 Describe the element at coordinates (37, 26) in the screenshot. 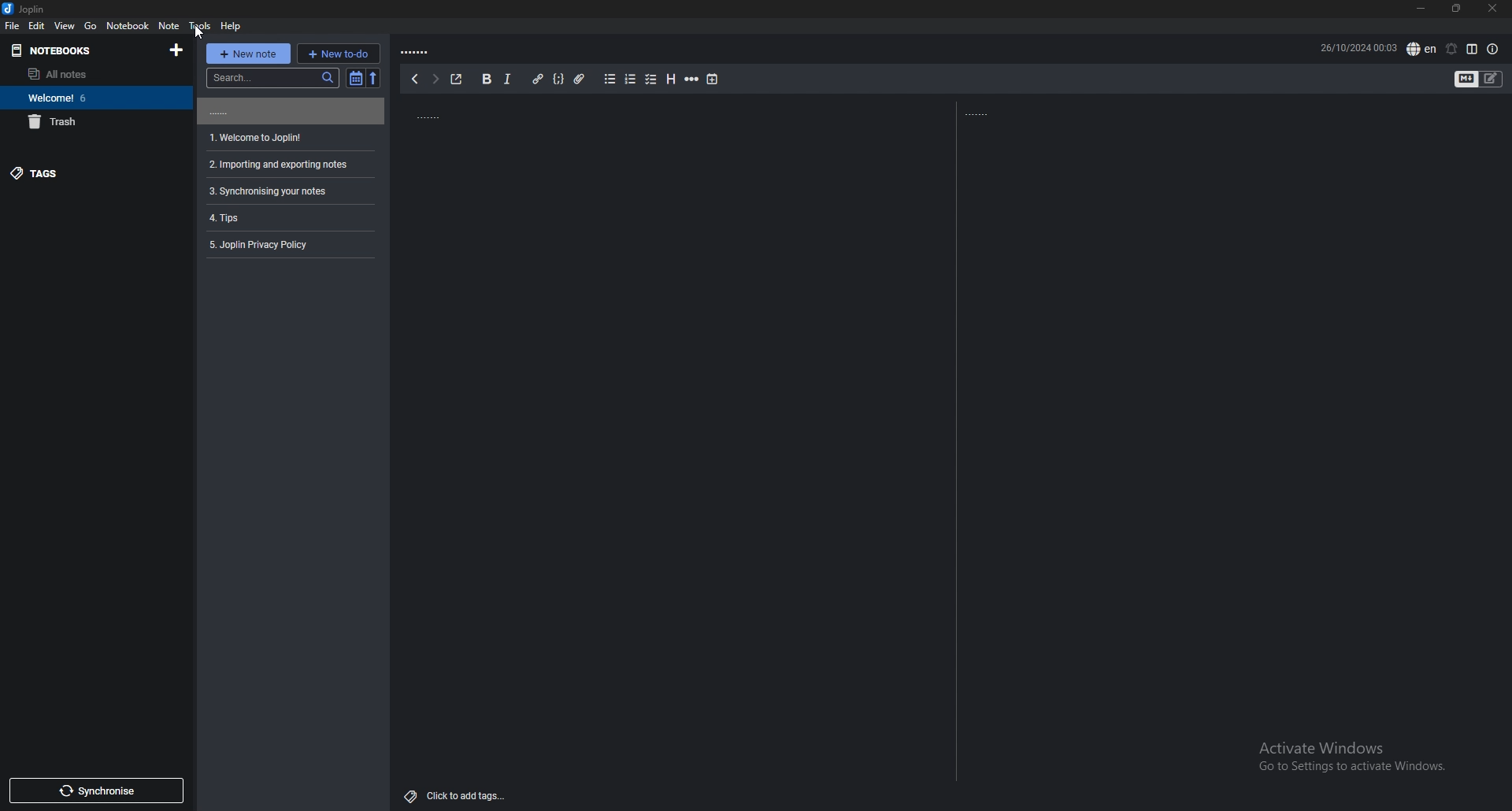

I see `edit` at that location.